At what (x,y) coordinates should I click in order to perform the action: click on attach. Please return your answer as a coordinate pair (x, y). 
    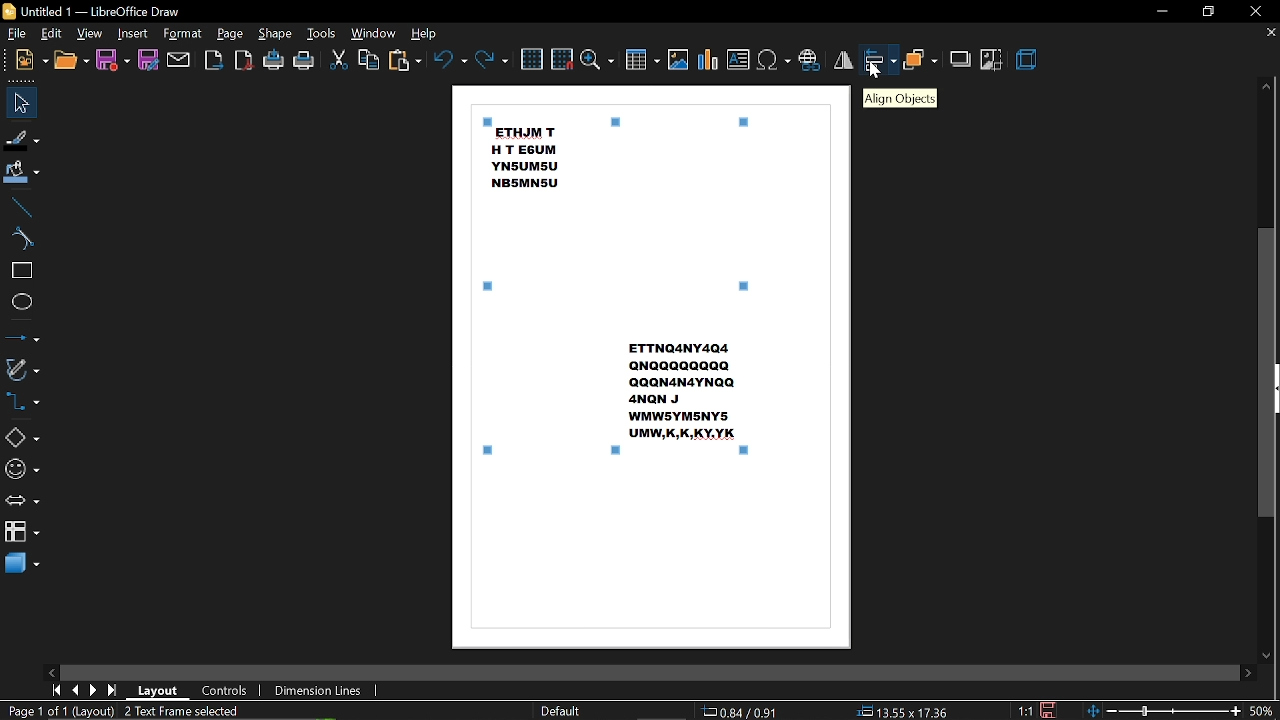
    Looking at the image, I should click on (180, 60).